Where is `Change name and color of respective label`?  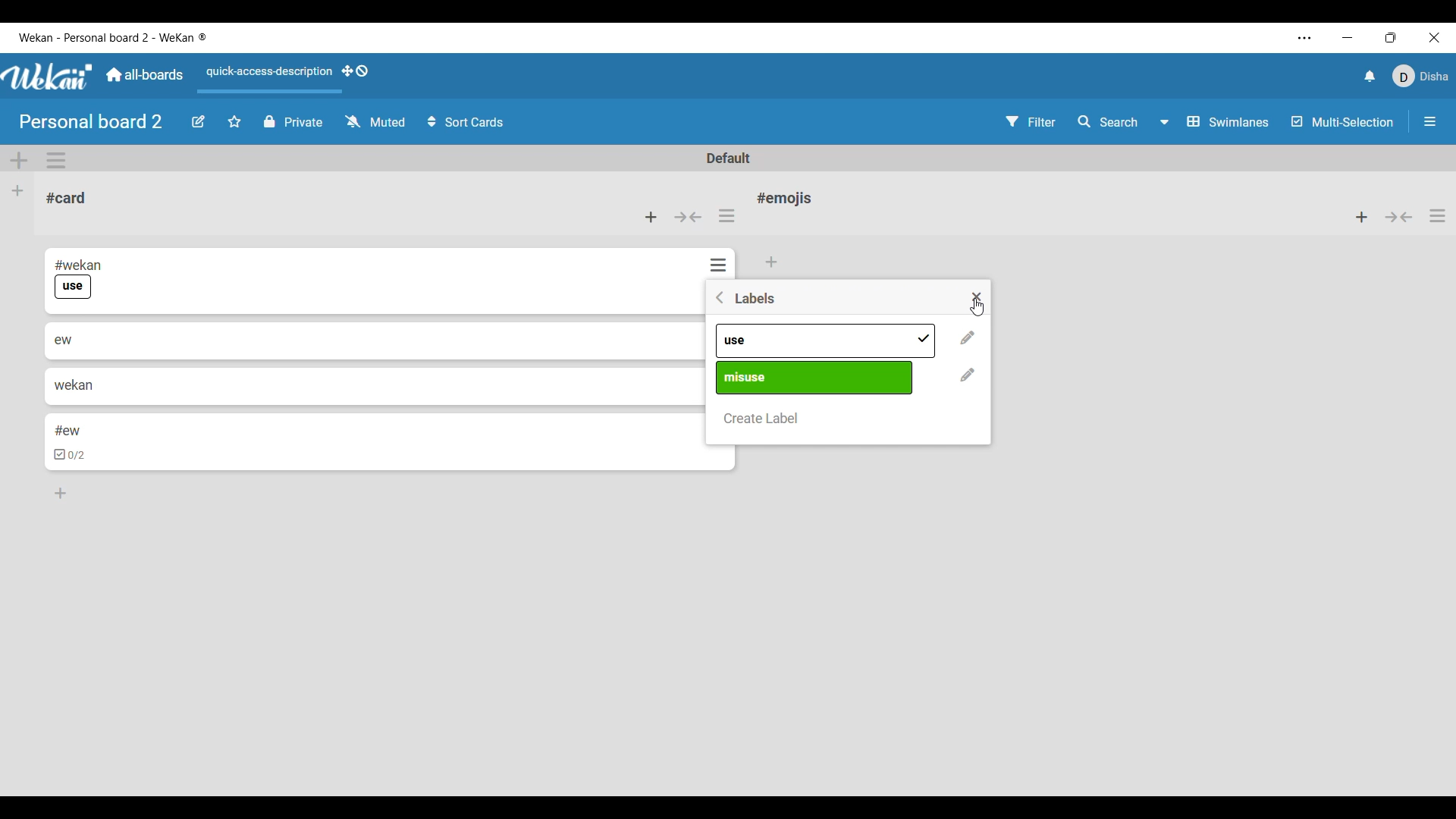 Change name and color of respective label is located at coordinates (968, 375).